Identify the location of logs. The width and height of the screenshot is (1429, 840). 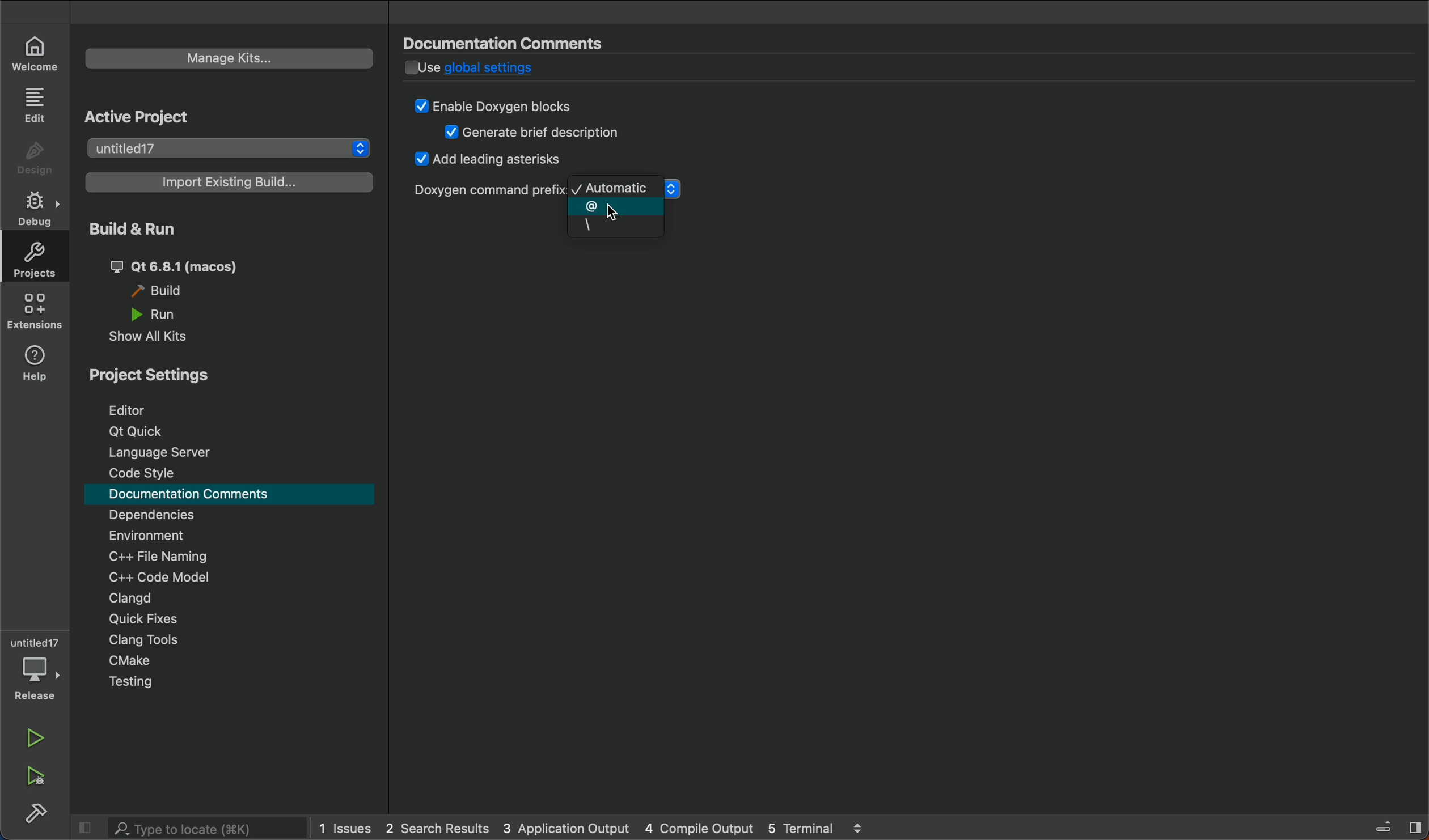
(604, 830).